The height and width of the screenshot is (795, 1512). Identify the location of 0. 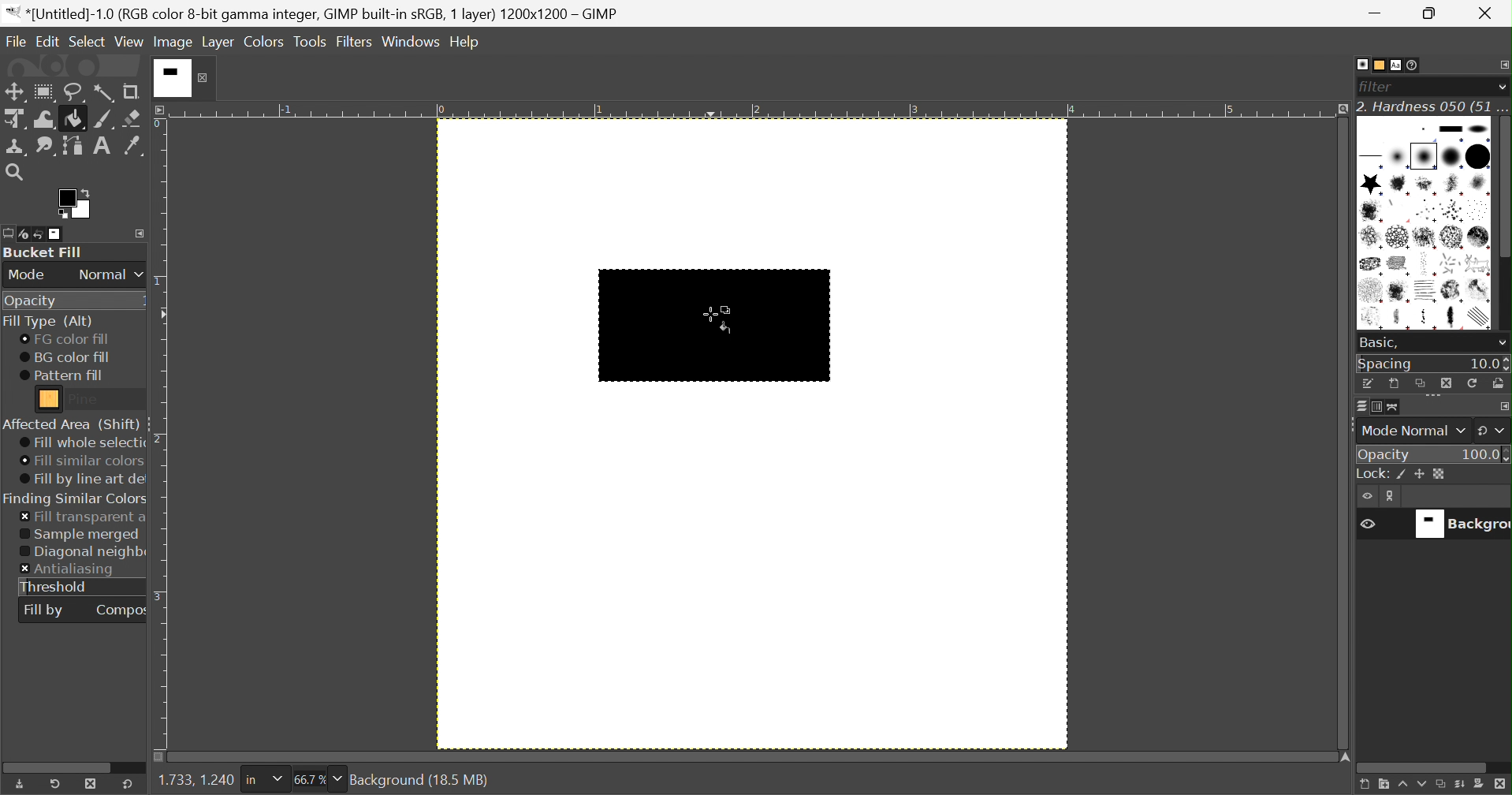
(159, 125).